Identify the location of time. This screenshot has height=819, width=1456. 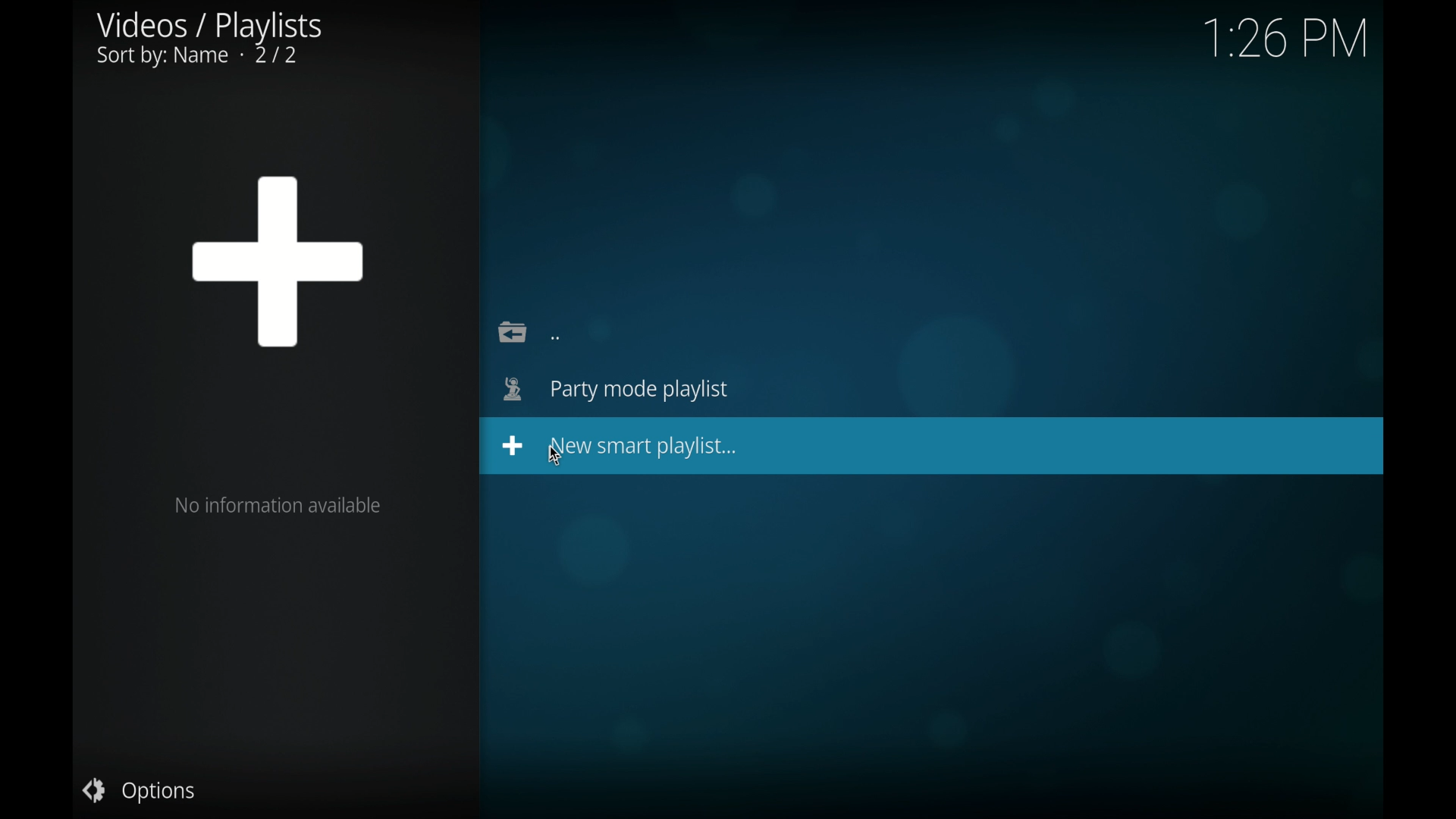
(1285, 39).